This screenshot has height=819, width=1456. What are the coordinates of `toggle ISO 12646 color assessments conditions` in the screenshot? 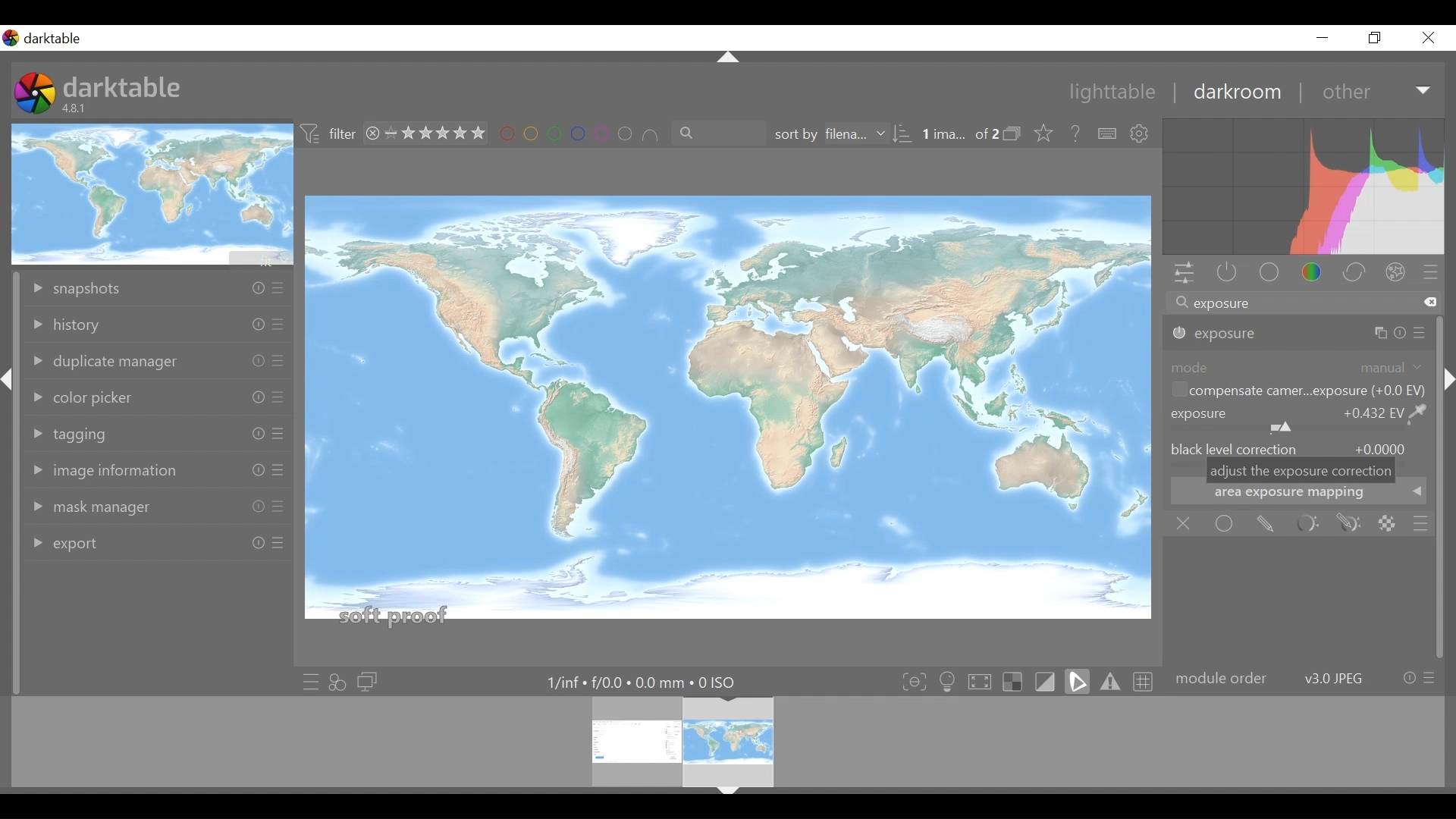 It's located at (949, 680).